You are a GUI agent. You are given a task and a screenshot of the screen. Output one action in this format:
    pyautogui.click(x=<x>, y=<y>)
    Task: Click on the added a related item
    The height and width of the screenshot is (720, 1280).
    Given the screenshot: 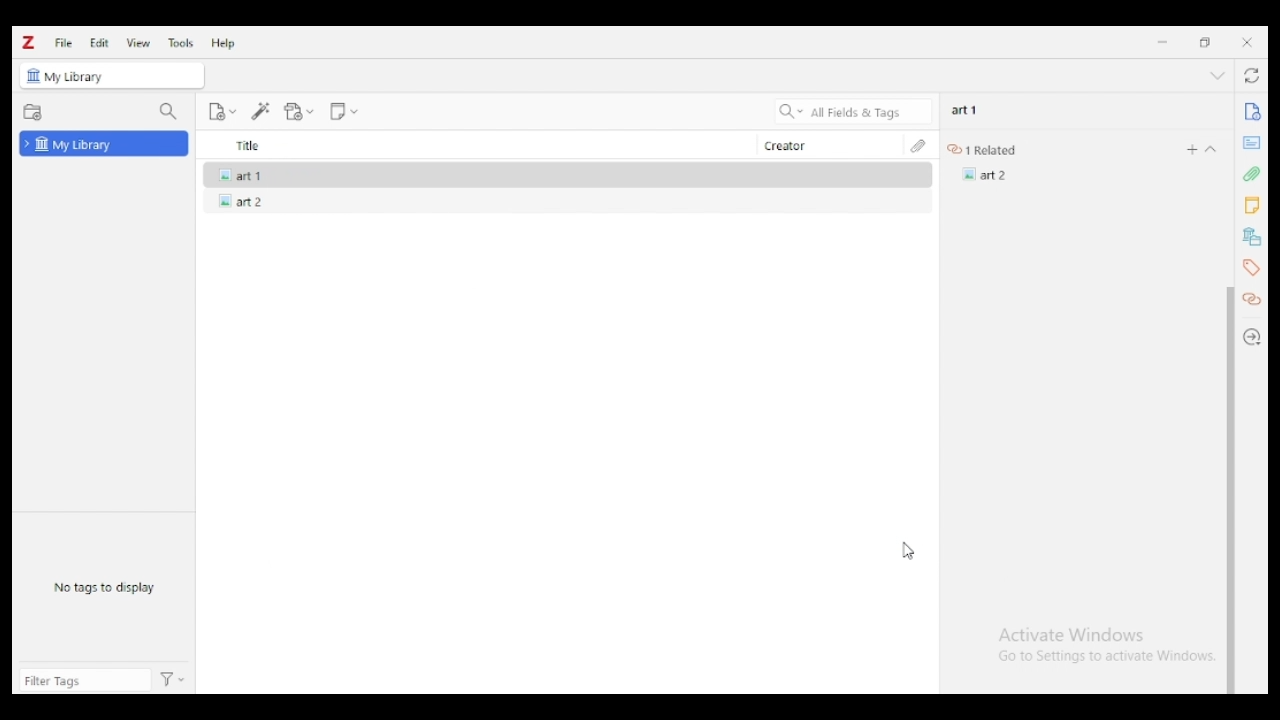 What is the action you would take?
    pyautogui.click(x=986, y=174)
    